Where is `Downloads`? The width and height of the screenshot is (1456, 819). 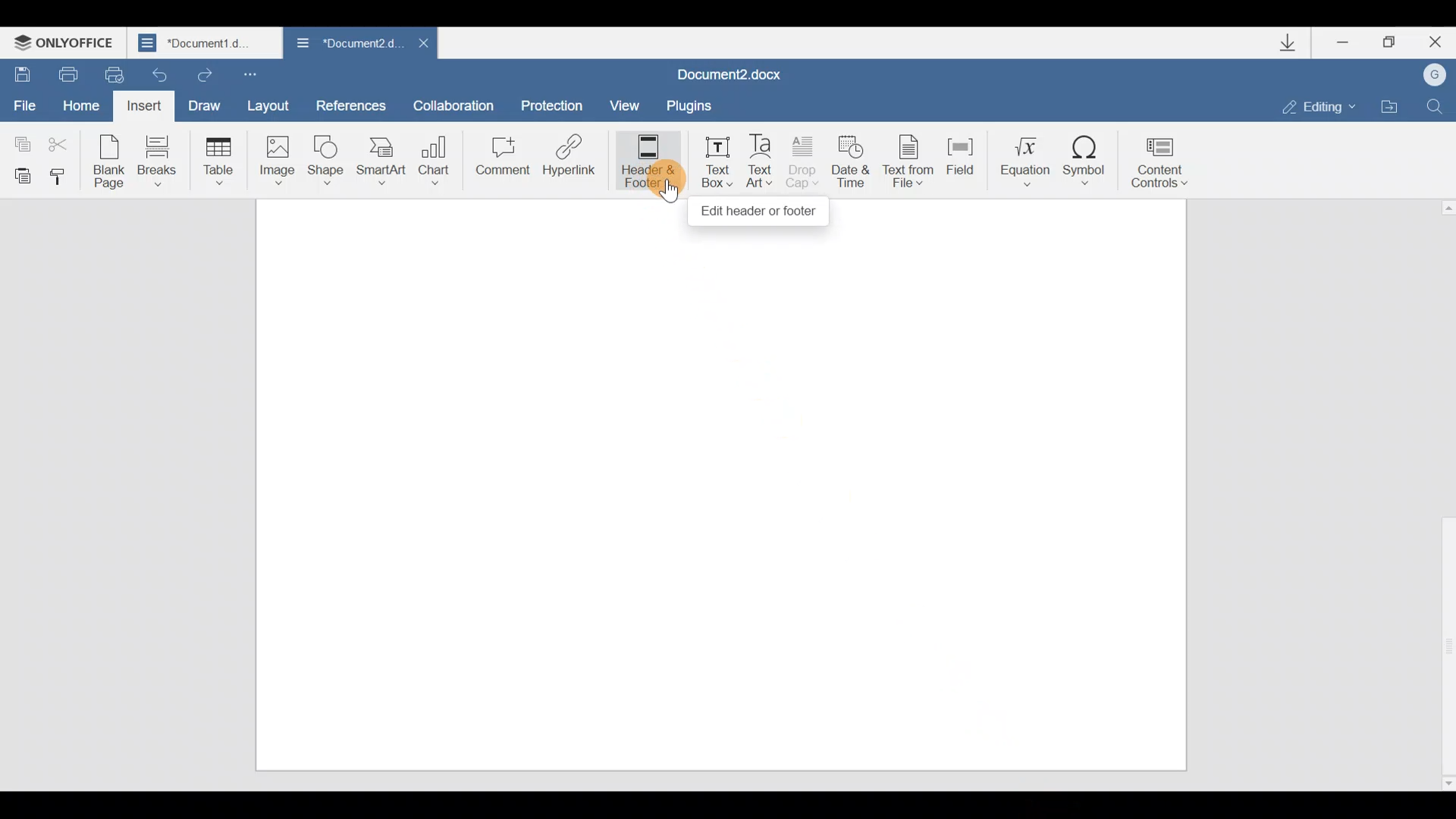 Downloads is located at coordinates (1288, 42).